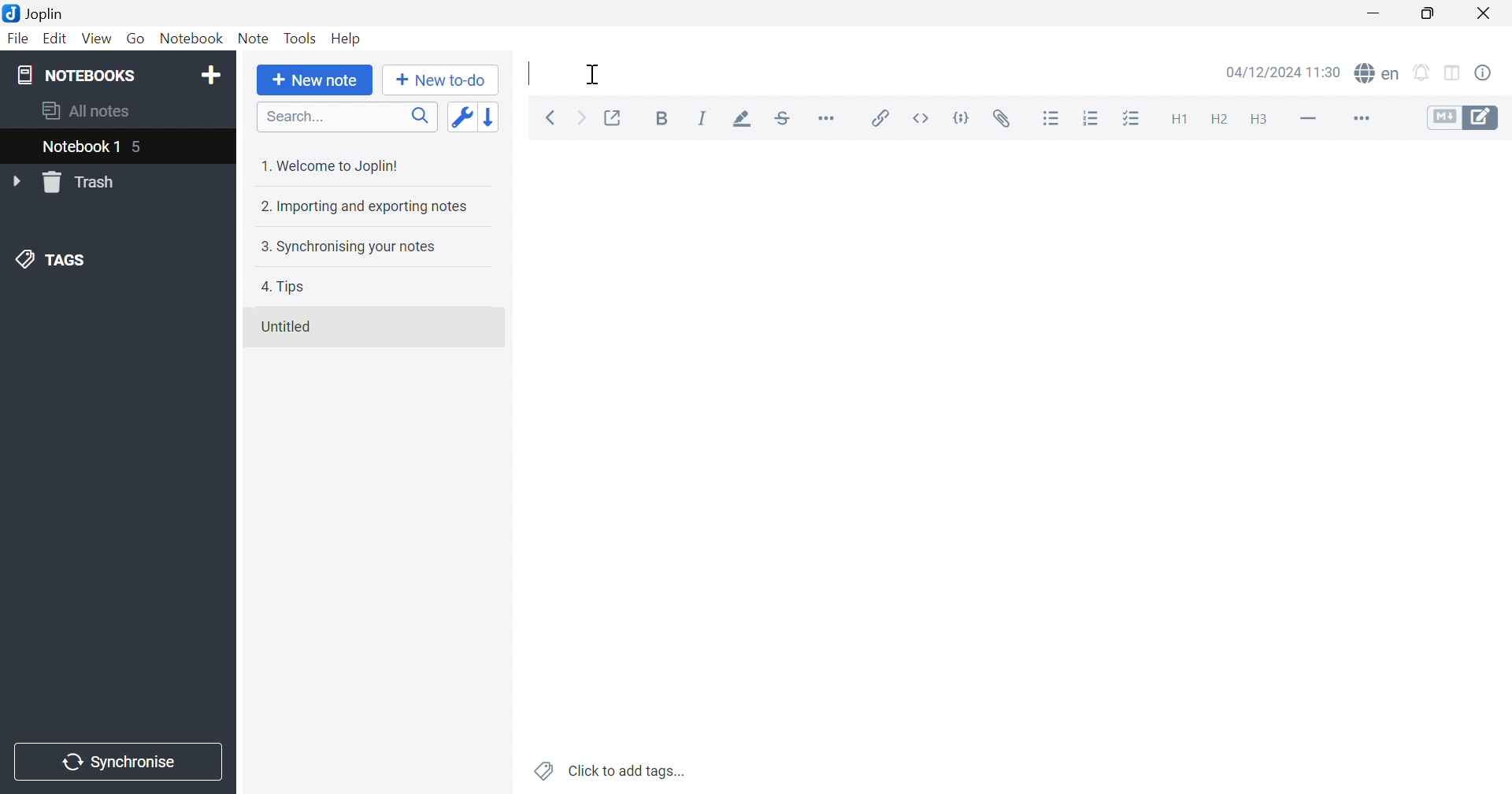  Describe the element at coordinates (528, 75) in the screenshot. I see `Typing` at that location.